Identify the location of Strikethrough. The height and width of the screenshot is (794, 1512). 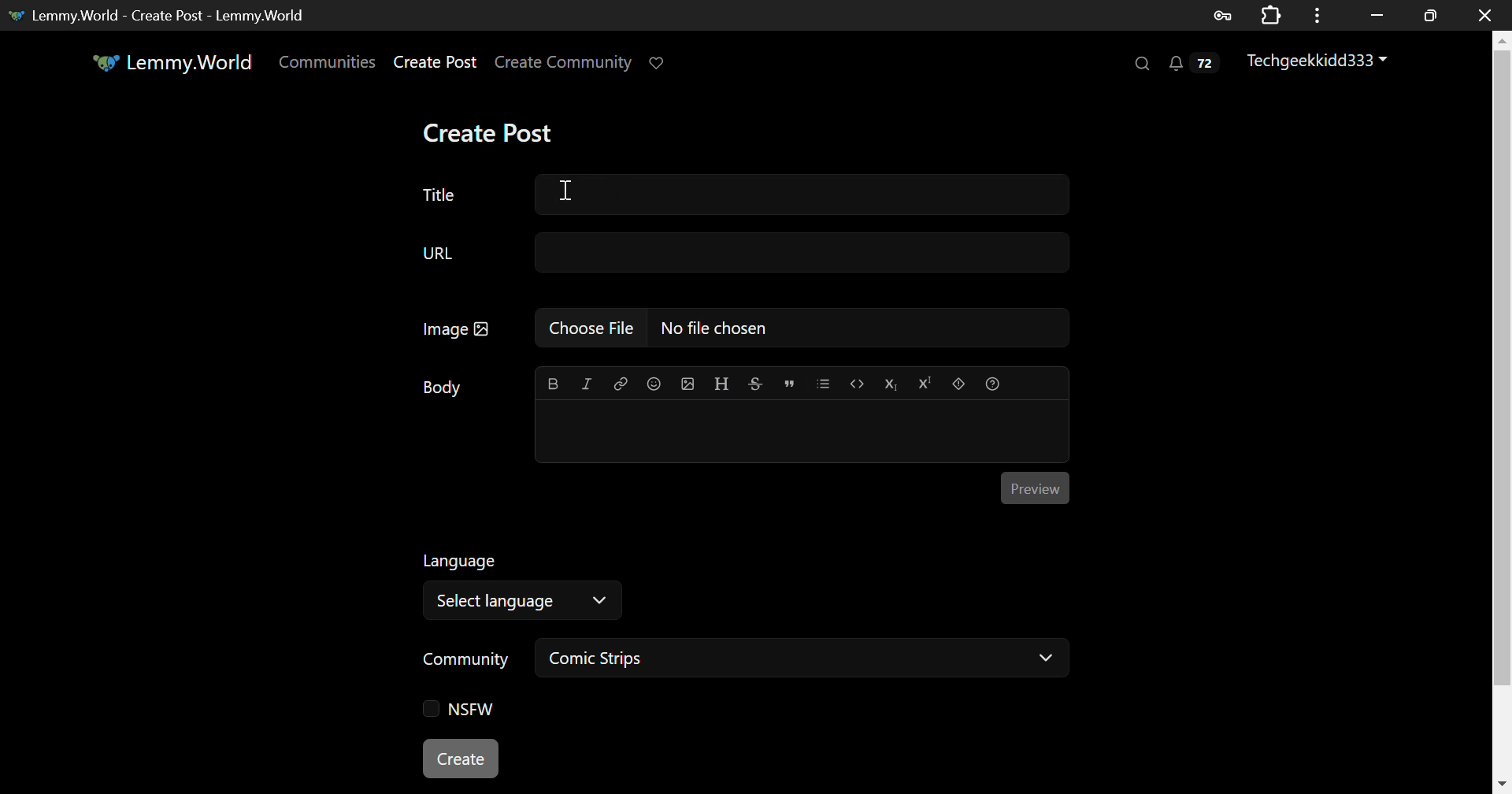
(754, 384).